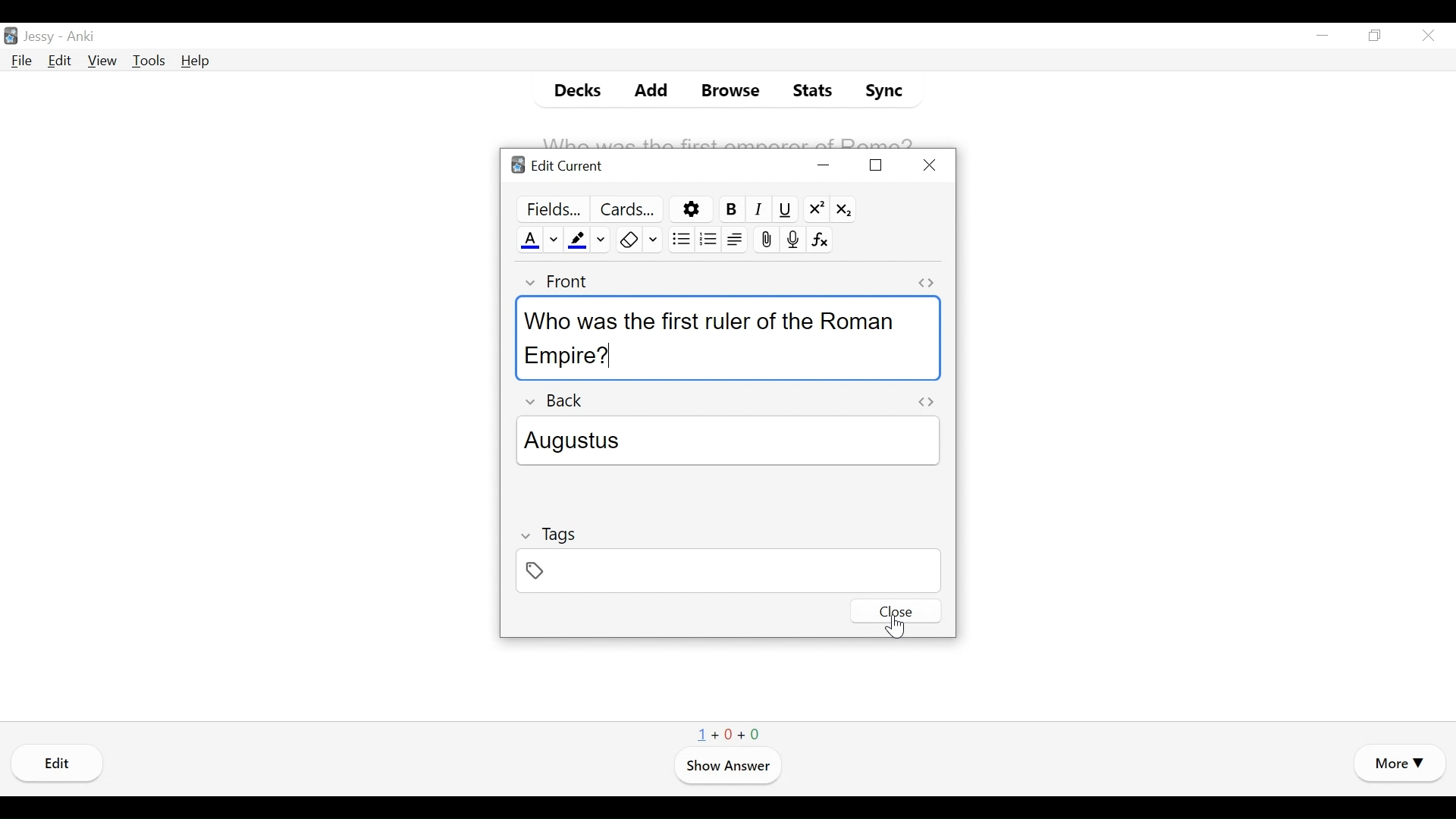  I want to click on Close, so click(895, 611).